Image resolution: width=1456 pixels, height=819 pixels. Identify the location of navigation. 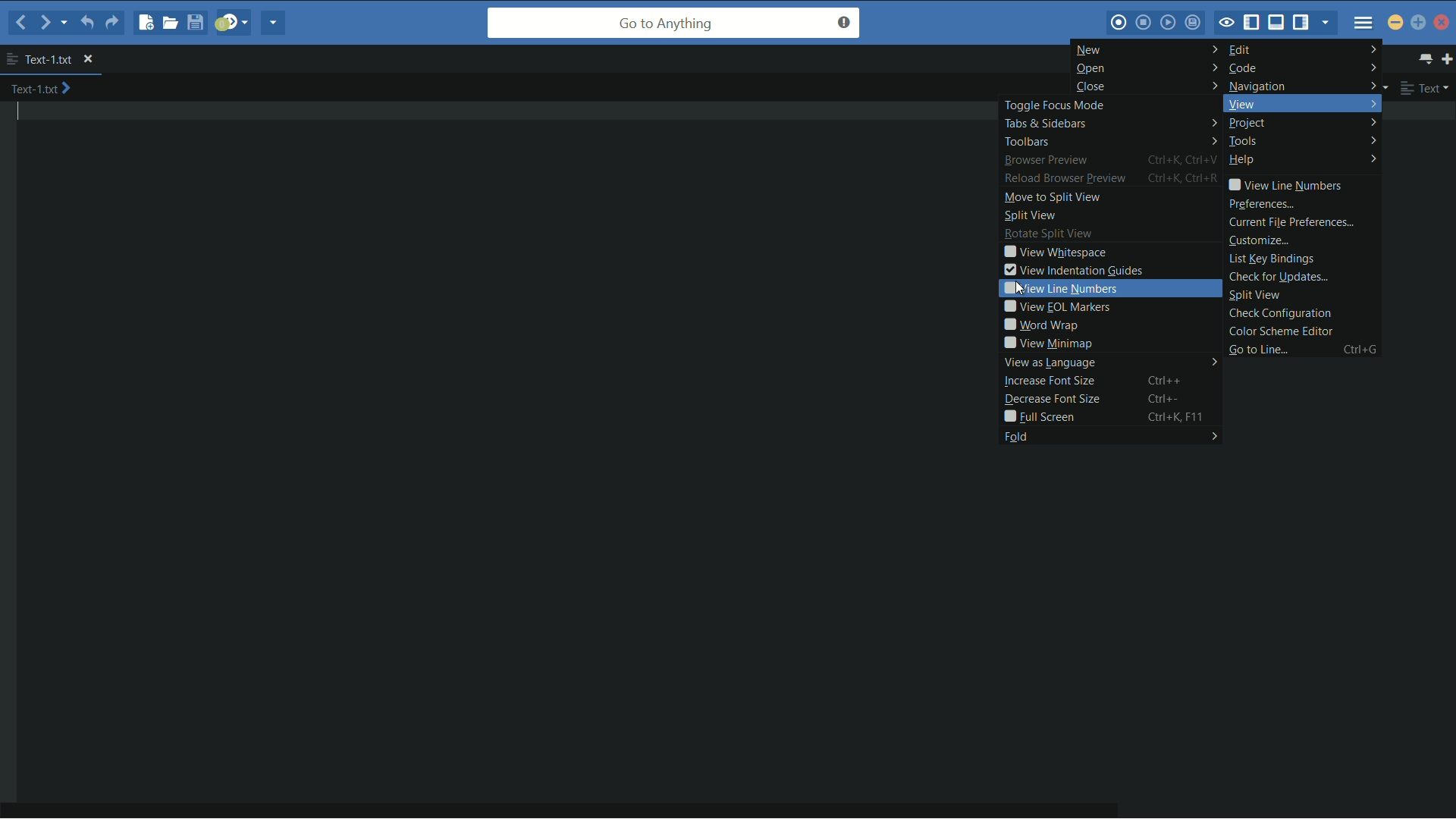
(1302, 86).